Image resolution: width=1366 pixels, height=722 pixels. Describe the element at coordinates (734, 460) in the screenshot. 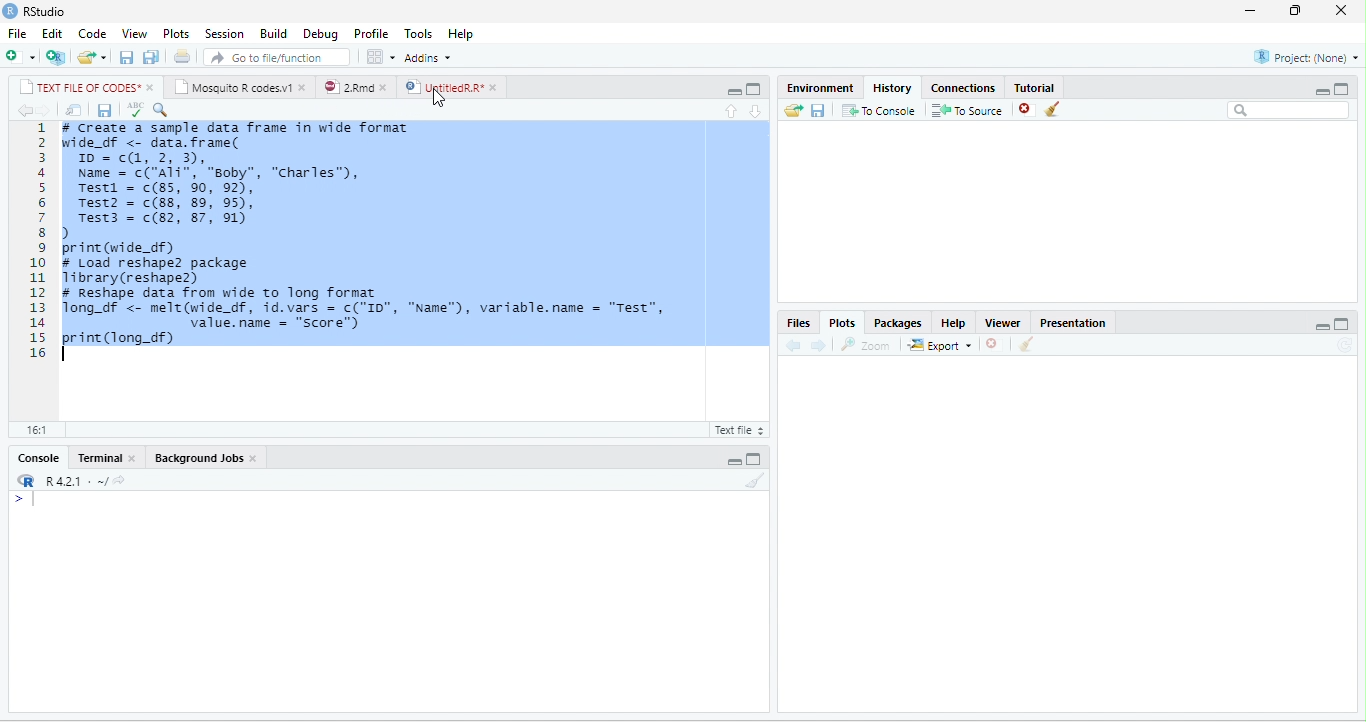

I see `minimize` at that location.